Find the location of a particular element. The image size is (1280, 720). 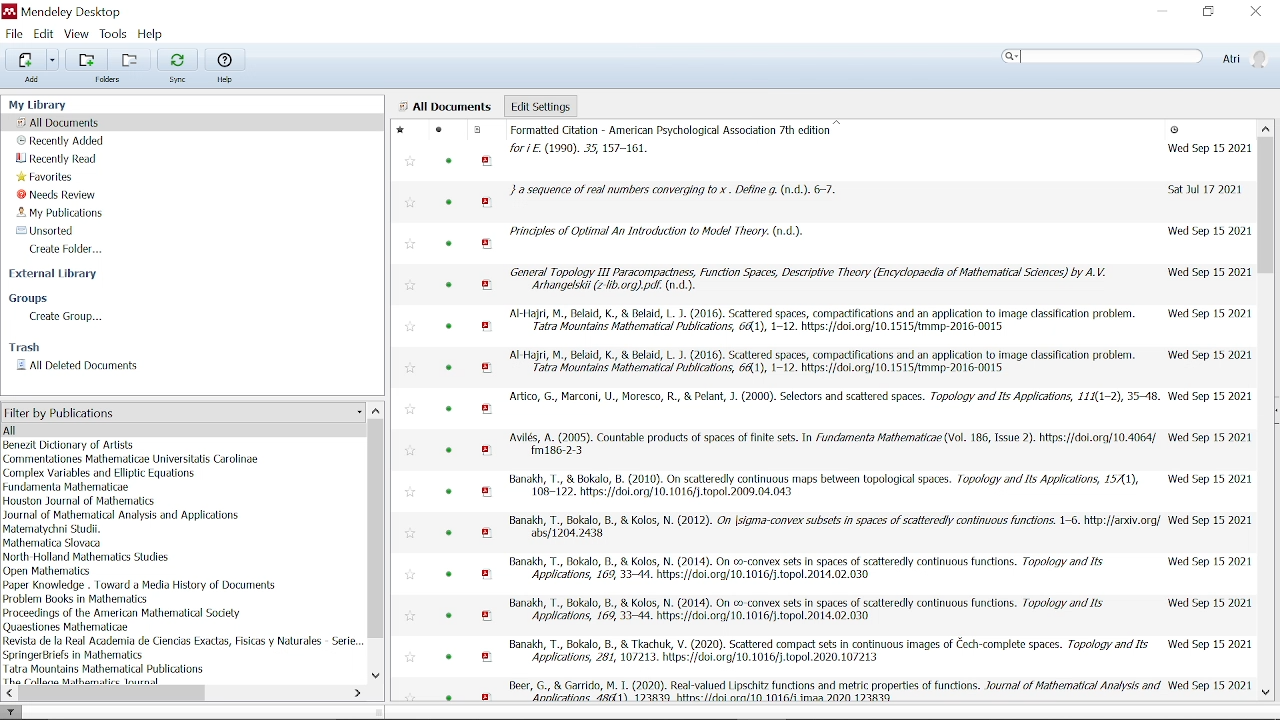

pdf is located at coordinates (489, 410).